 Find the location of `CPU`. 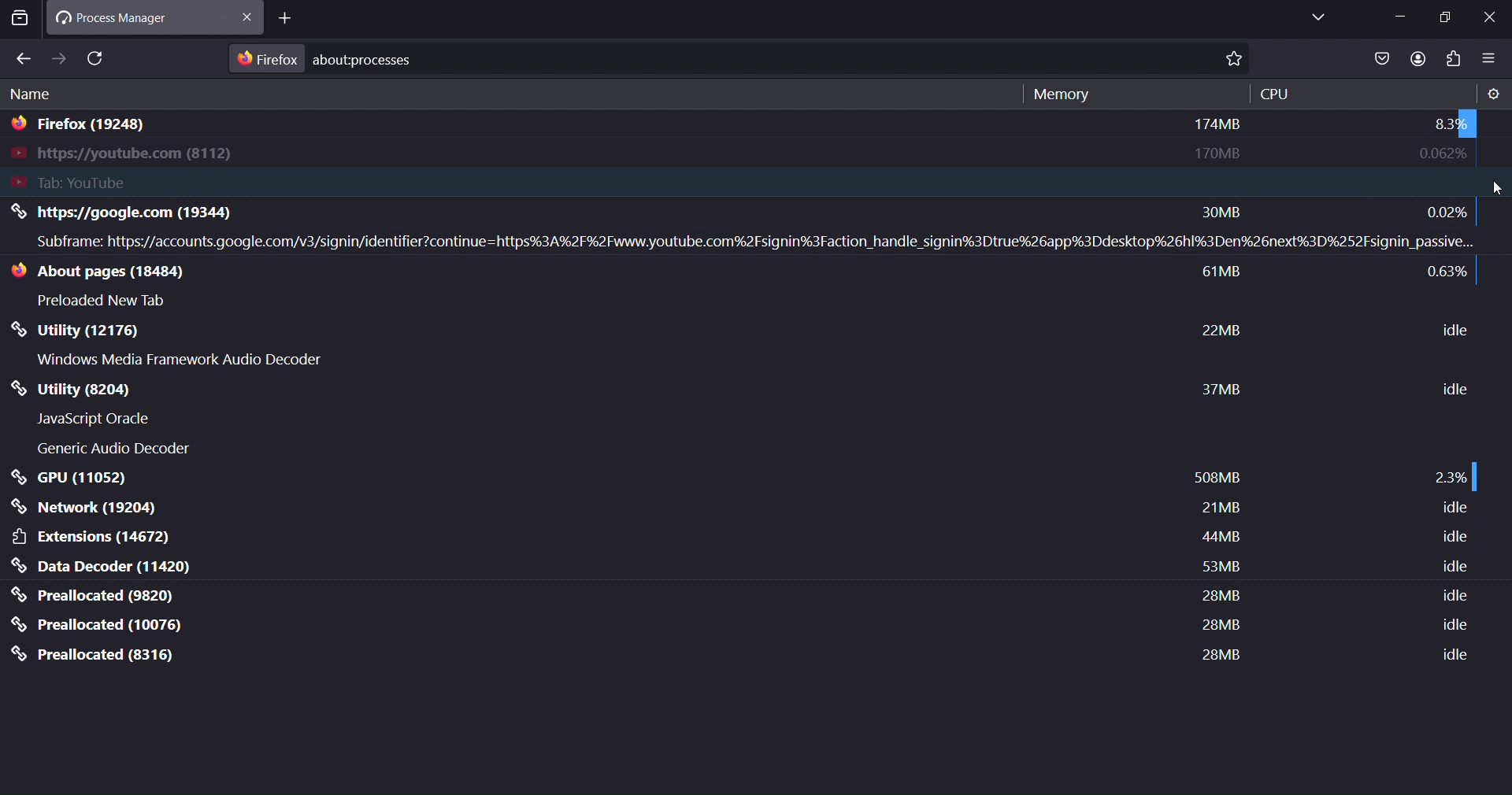

CPU is located at coordinates (1276, 94).